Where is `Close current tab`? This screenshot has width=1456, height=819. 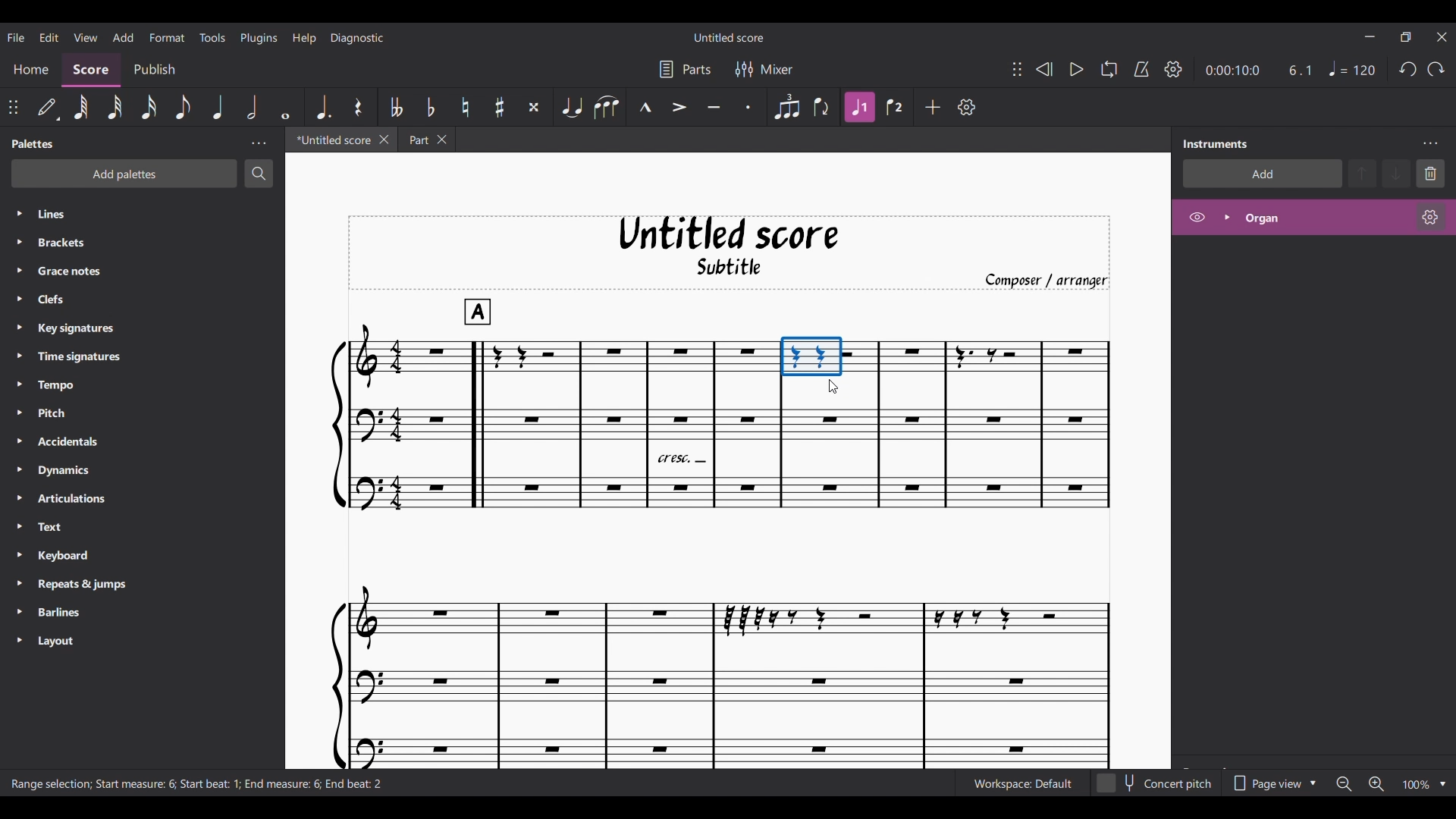
Close current tab is located at coordinates (384, 139).